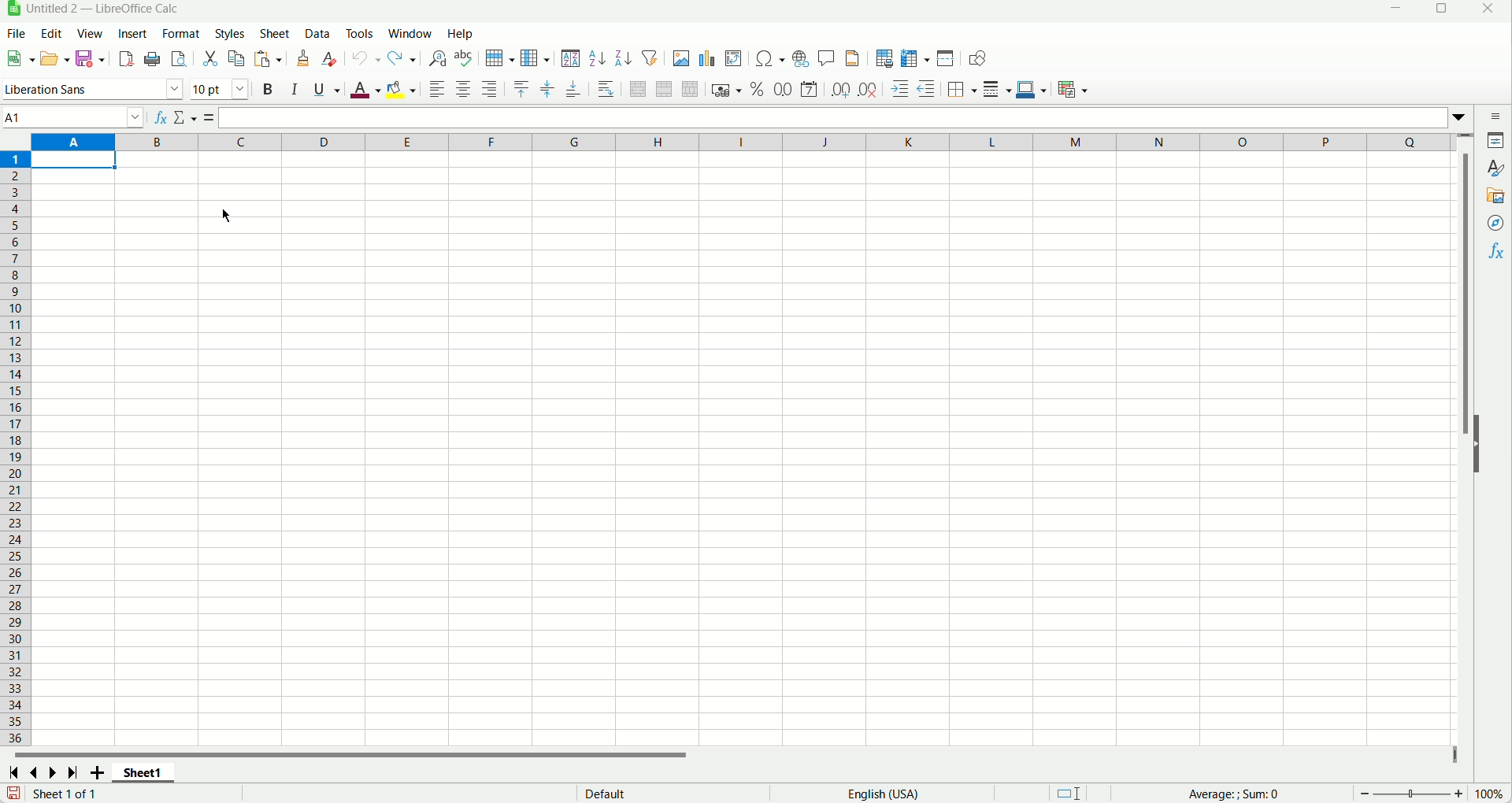 Image resolution: width=1512 pixels, height=803 pixels. I want to click on Insert image, so click(680, 57).